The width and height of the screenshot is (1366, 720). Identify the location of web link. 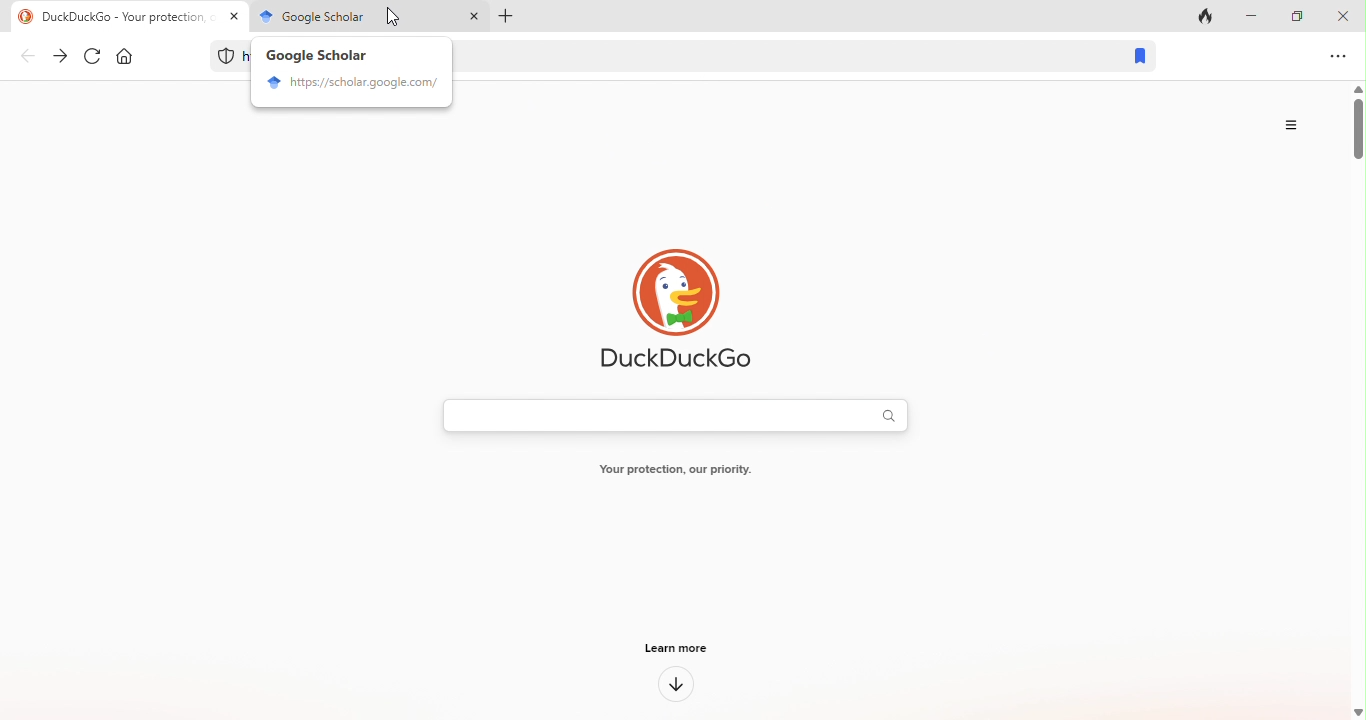
(779, 53).